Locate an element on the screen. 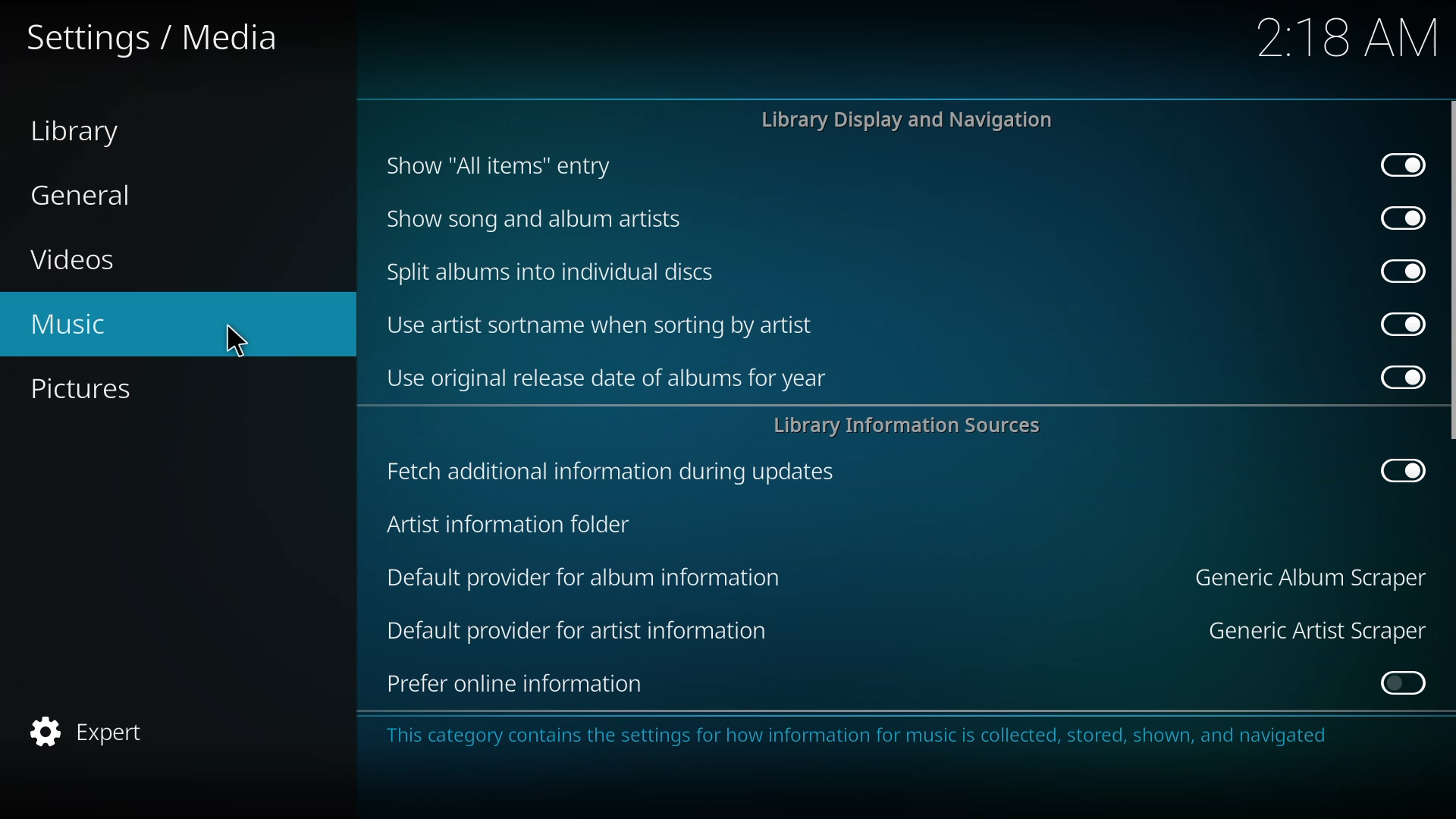  default provider for artist information is located at coordinates (588, 626).